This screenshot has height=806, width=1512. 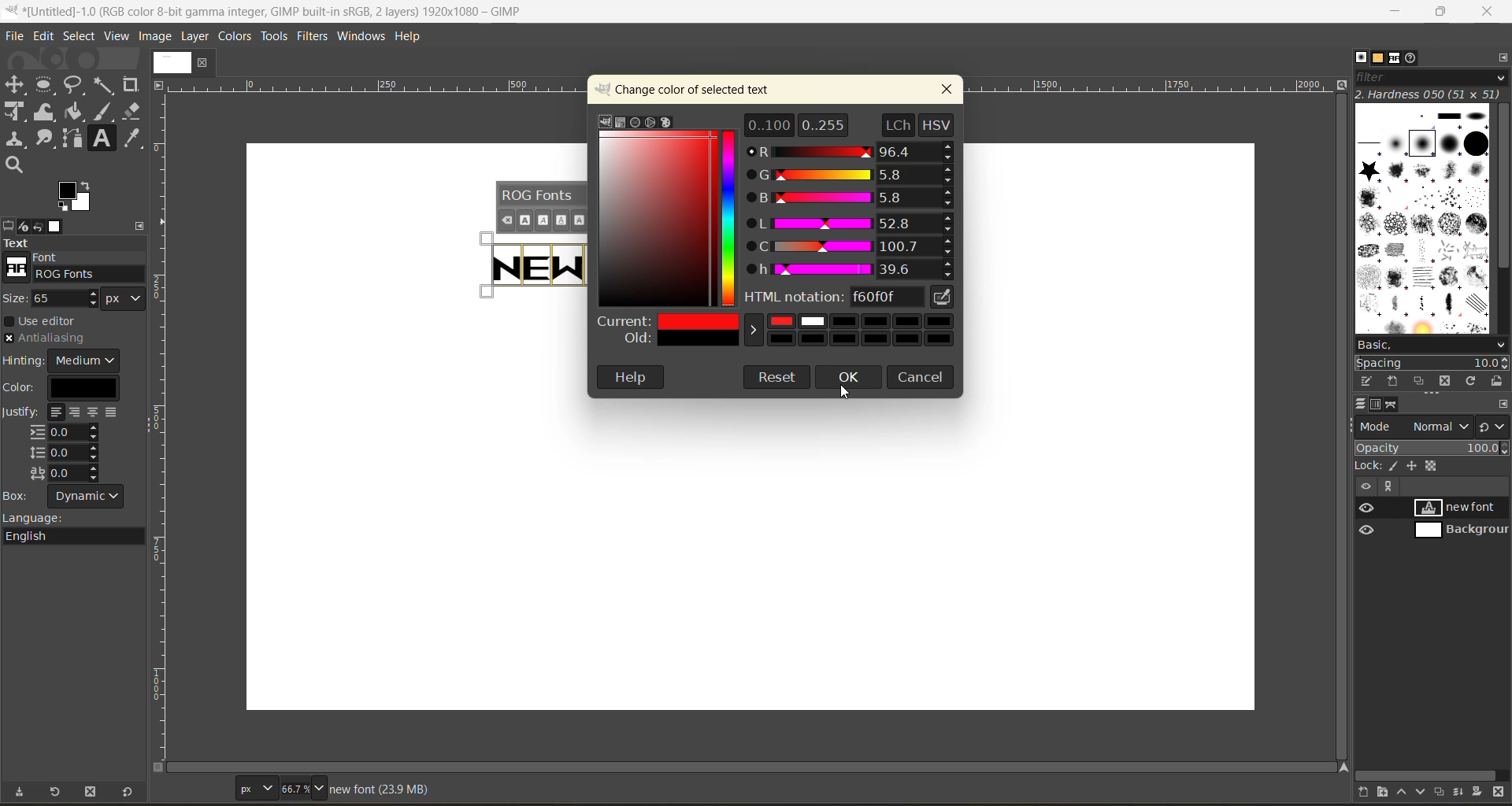 I want to click on view paths, so click(x=1388, y=486).